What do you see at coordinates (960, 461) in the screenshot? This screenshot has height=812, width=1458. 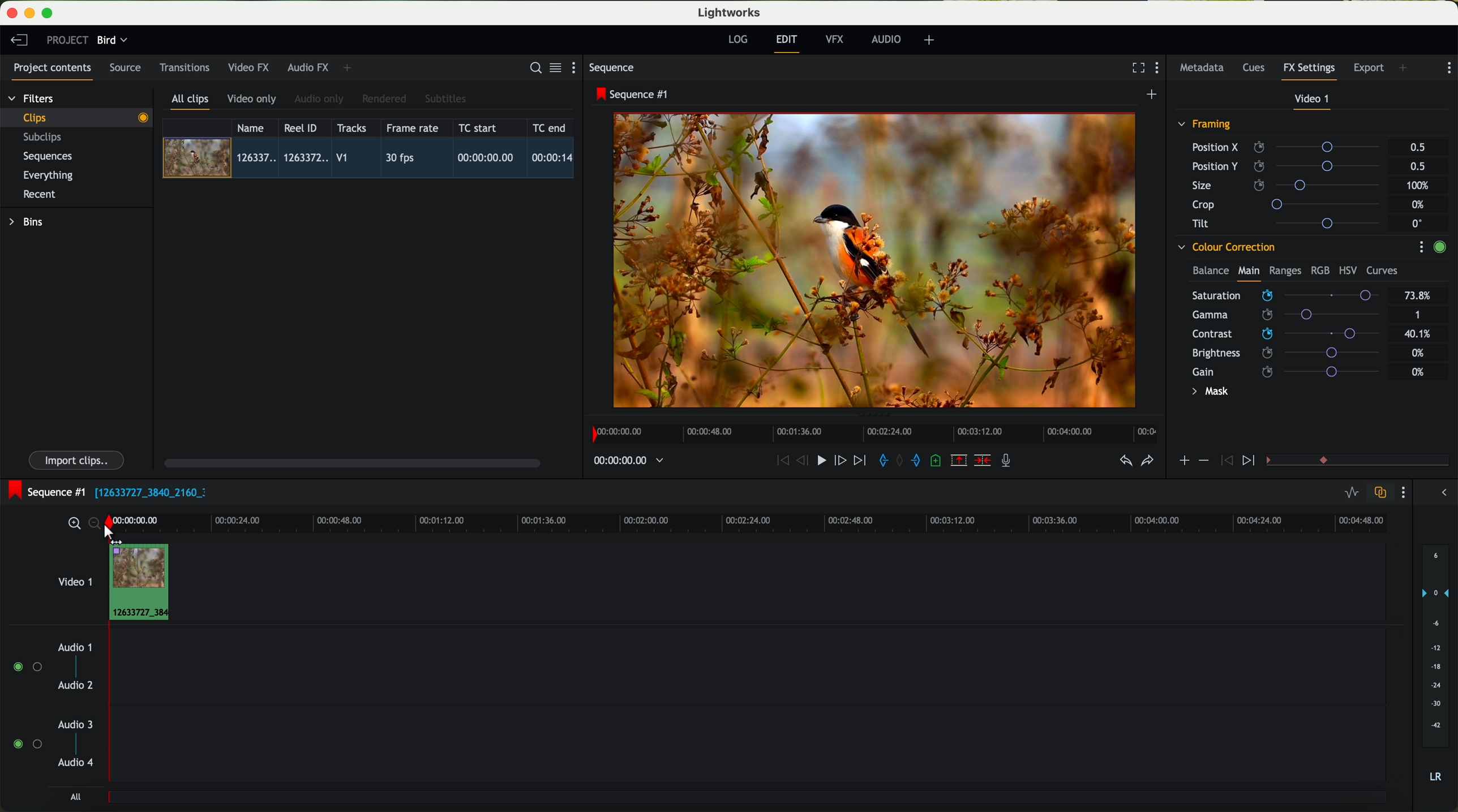 I see `remove the marked section` at bounding box center [960, 461].